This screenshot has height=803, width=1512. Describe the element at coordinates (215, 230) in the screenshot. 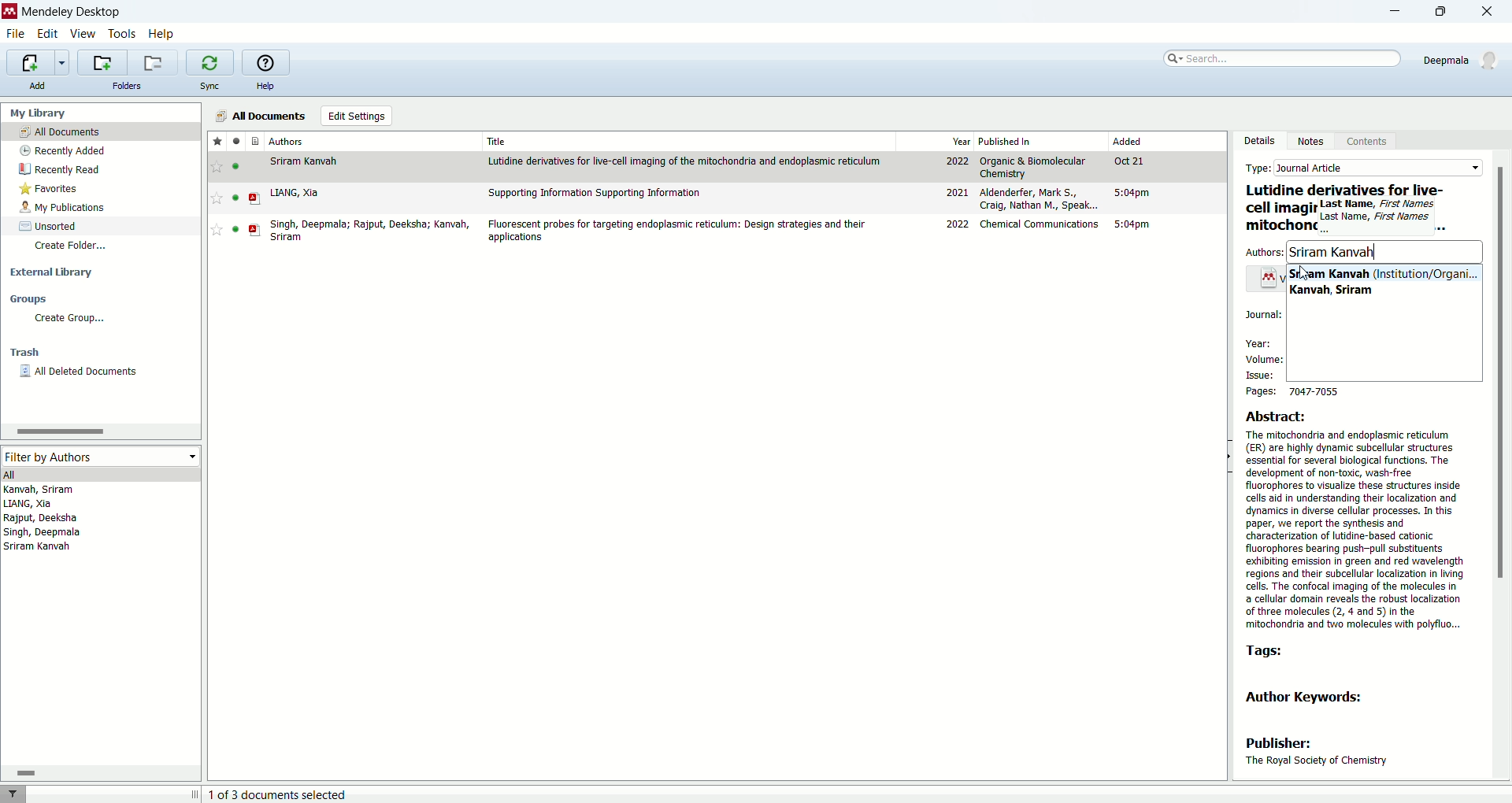

I see `Favourite` at that location.